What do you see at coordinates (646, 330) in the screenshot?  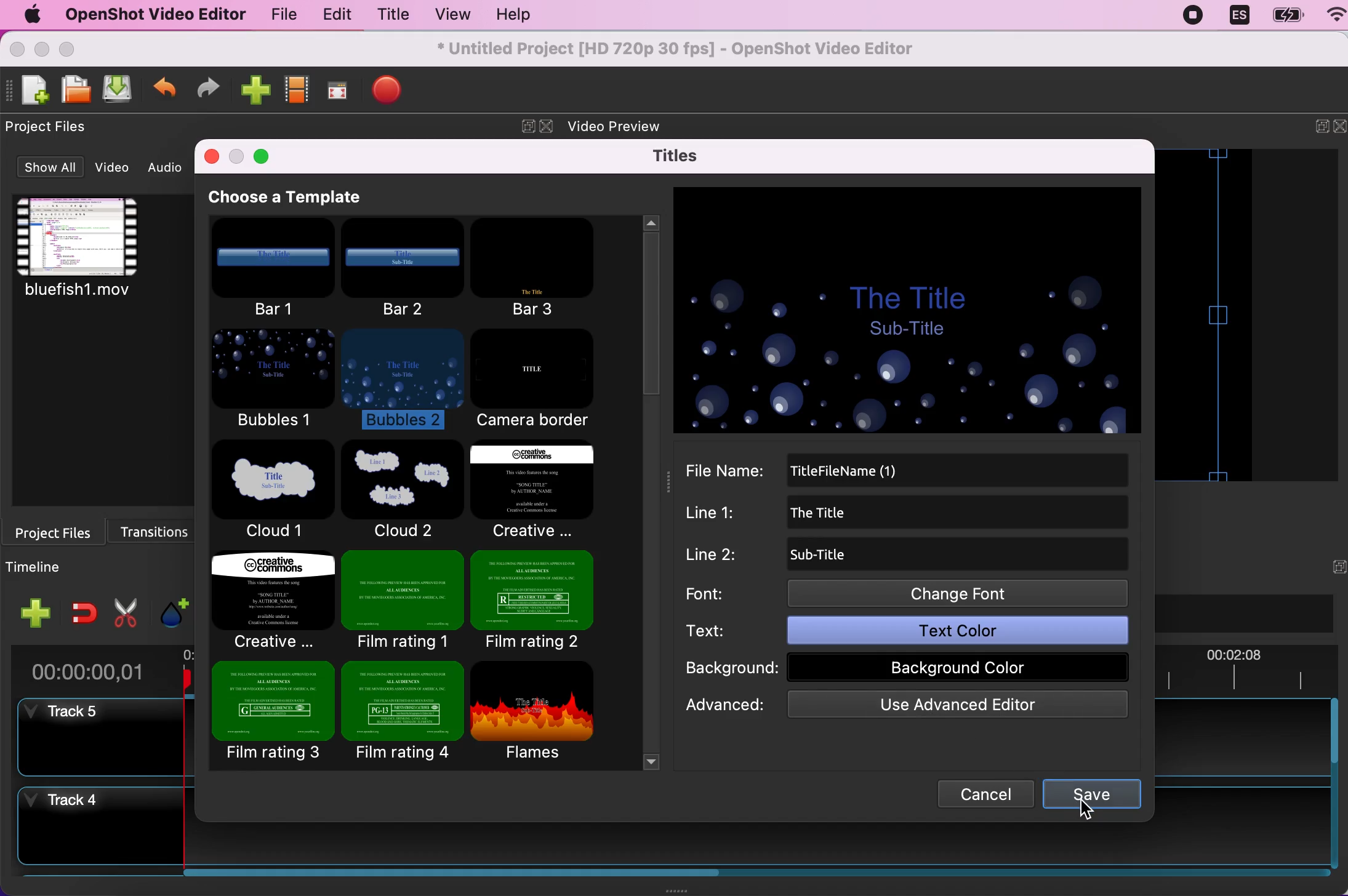 I see `vertical slider` at bounding box center [646, 330].